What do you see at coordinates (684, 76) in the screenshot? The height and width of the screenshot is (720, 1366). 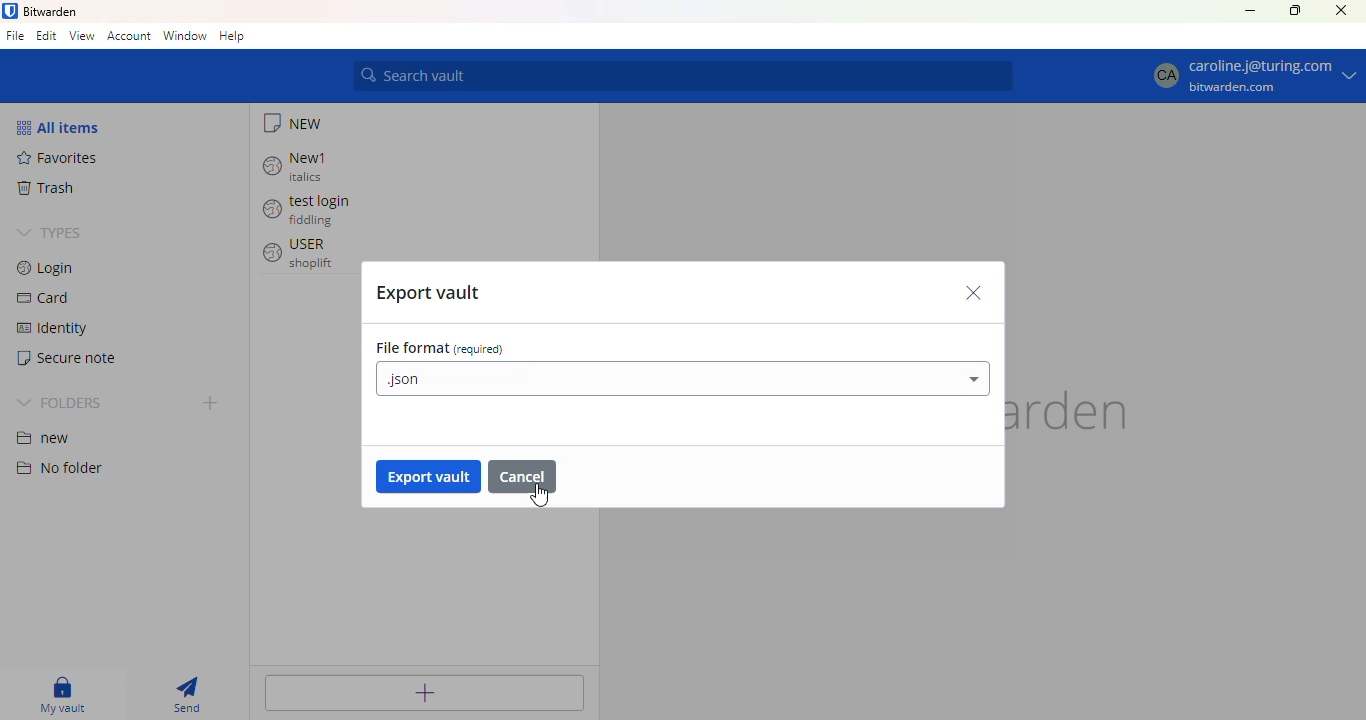 I see `search vault` at bounding box center [684, 76].